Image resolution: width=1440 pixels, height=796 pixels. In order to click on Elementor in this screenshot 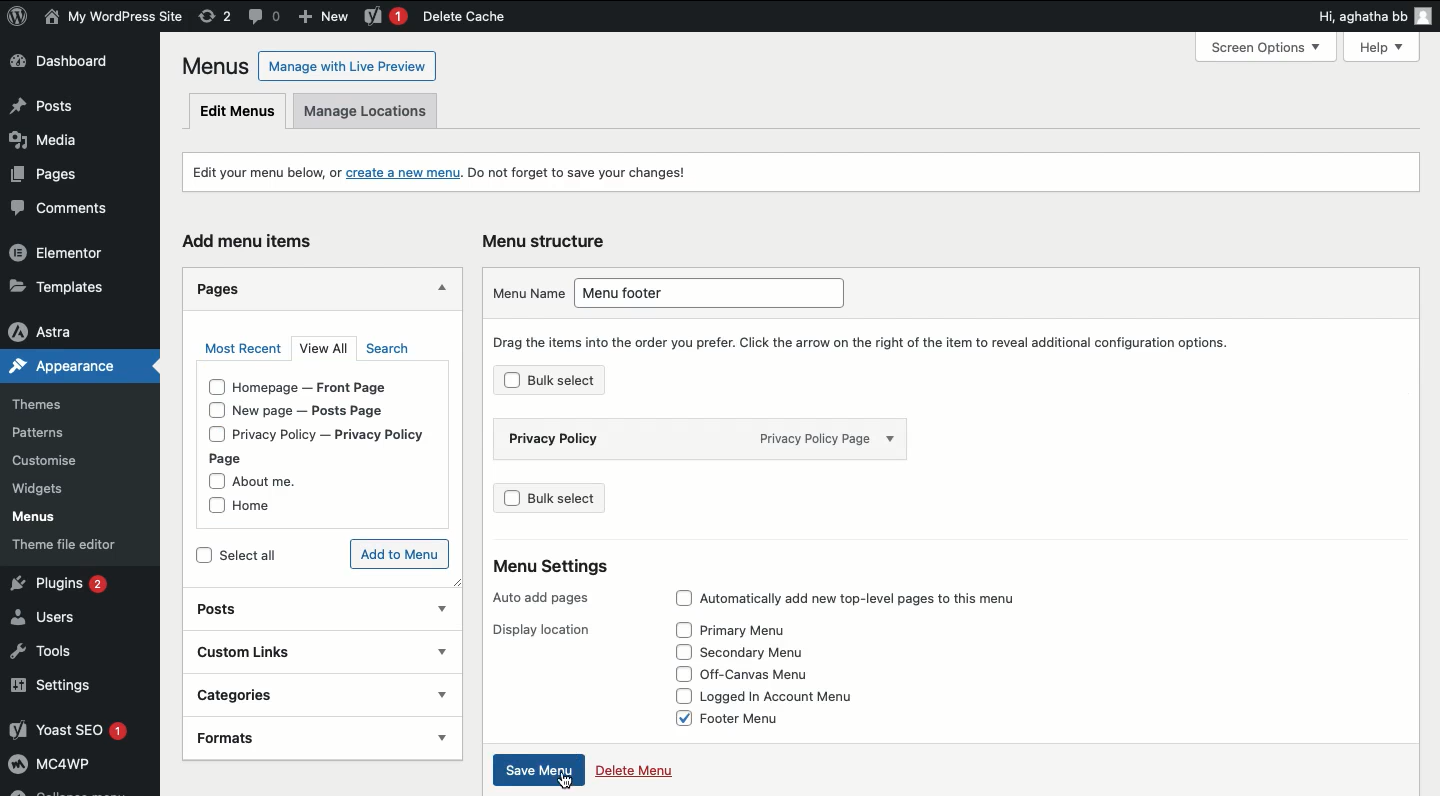, I will do `click(68, 254)`.